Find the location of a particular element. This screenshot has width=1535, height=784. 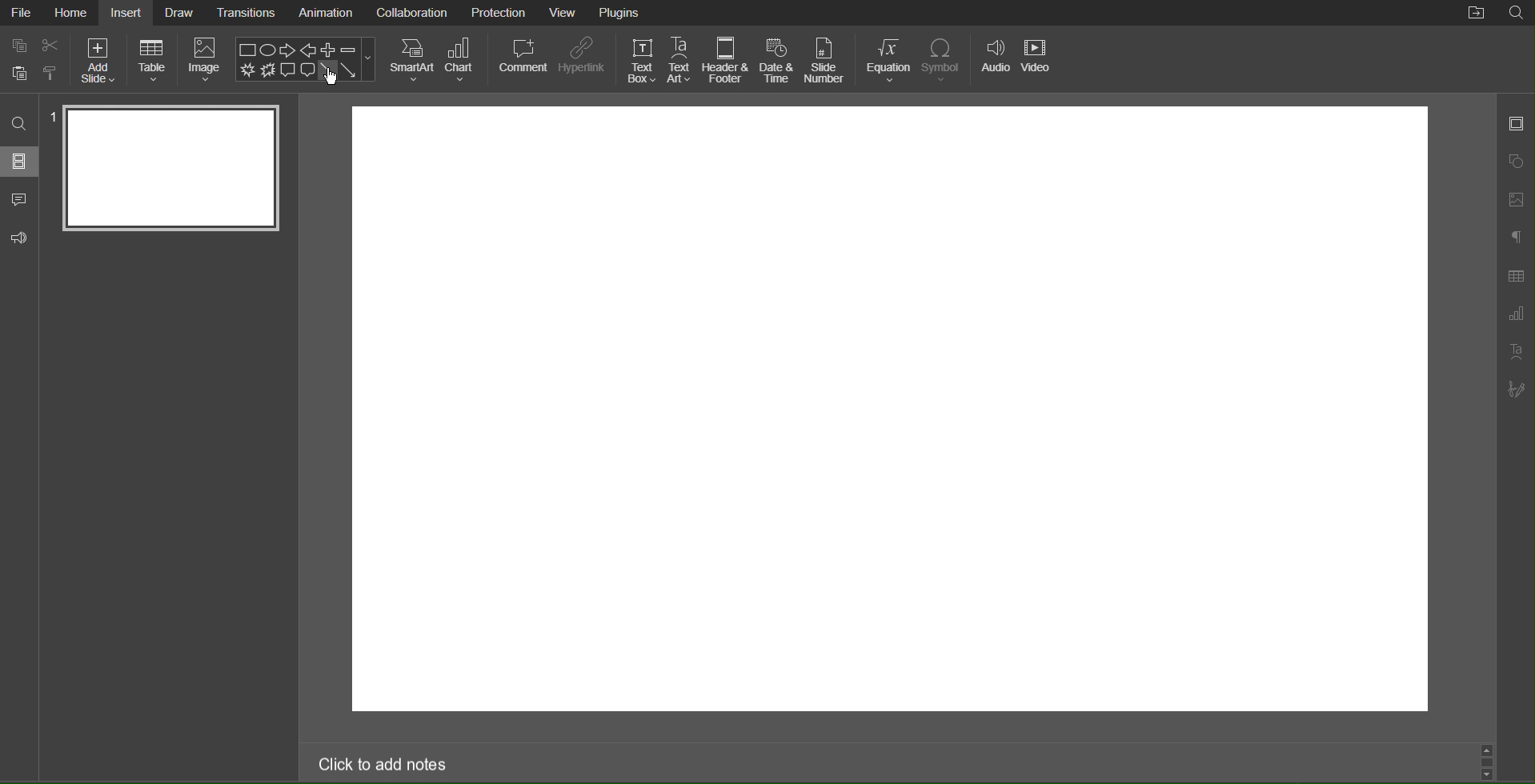

Paragraph Settings is located at coordinates (1517, 238).